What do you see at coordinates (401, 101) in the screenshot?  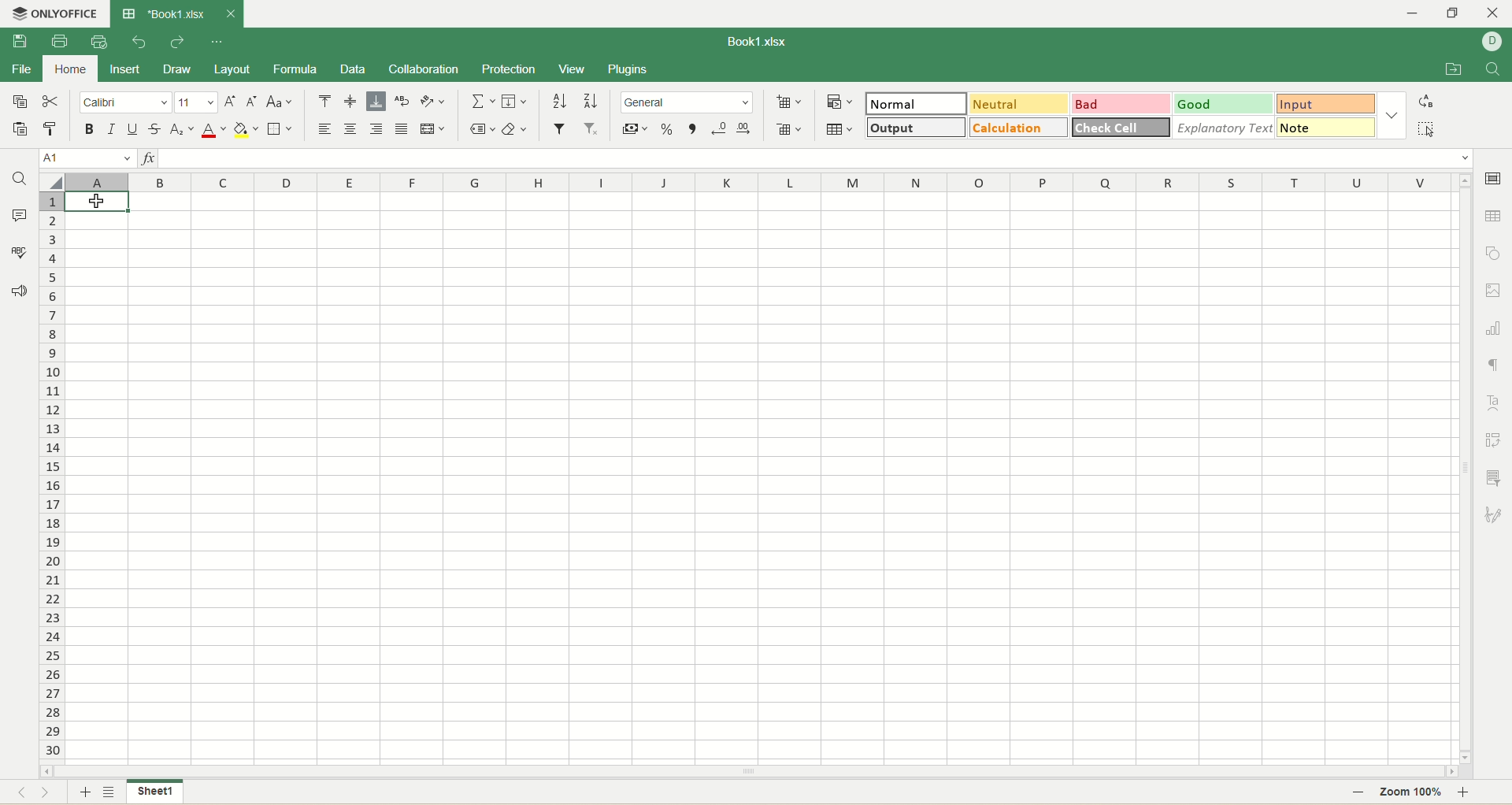 I see `wrap text` at bounding box center [401, 101].